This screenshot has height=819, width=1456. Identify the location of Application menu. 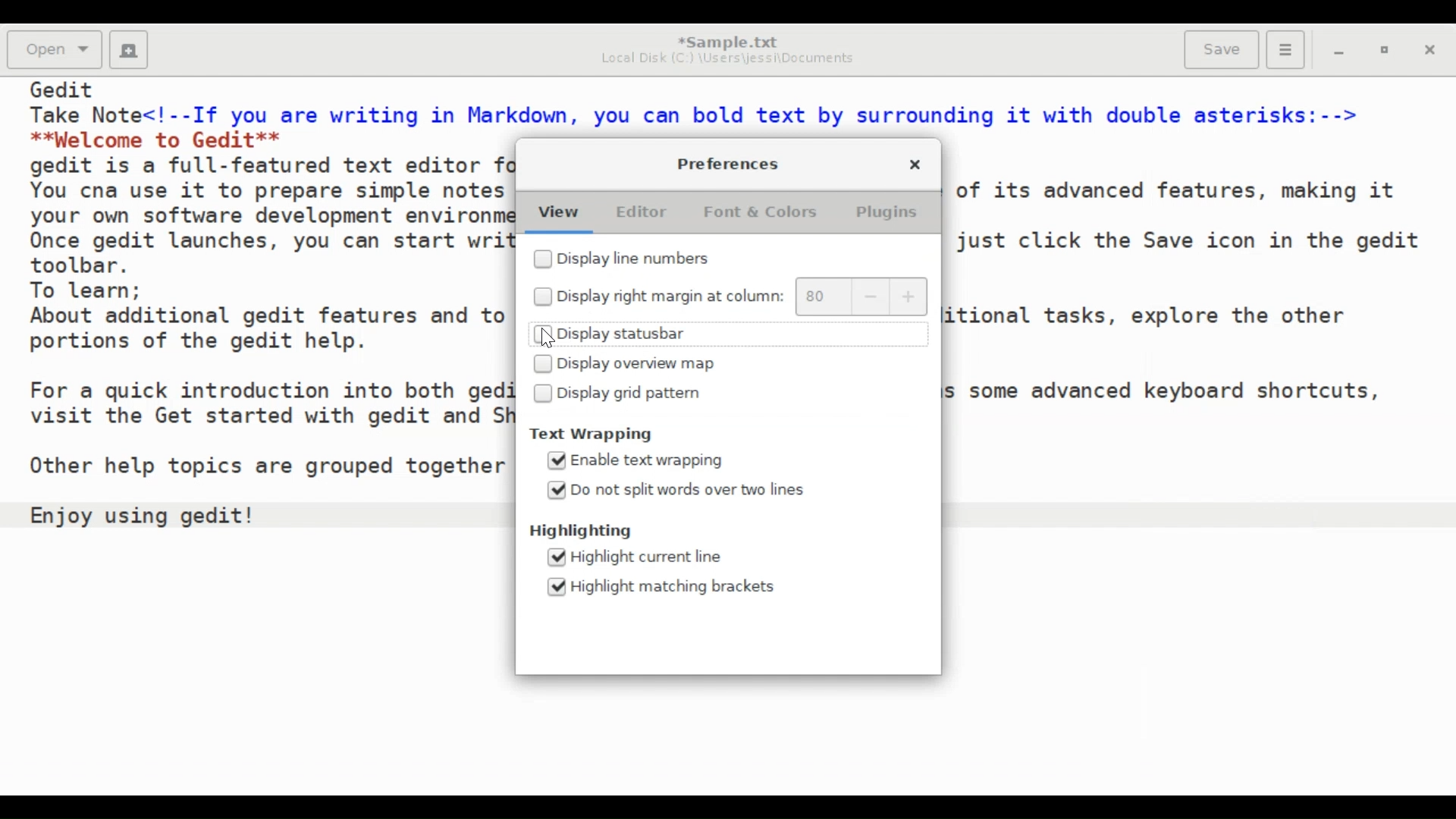
(1285, 50).